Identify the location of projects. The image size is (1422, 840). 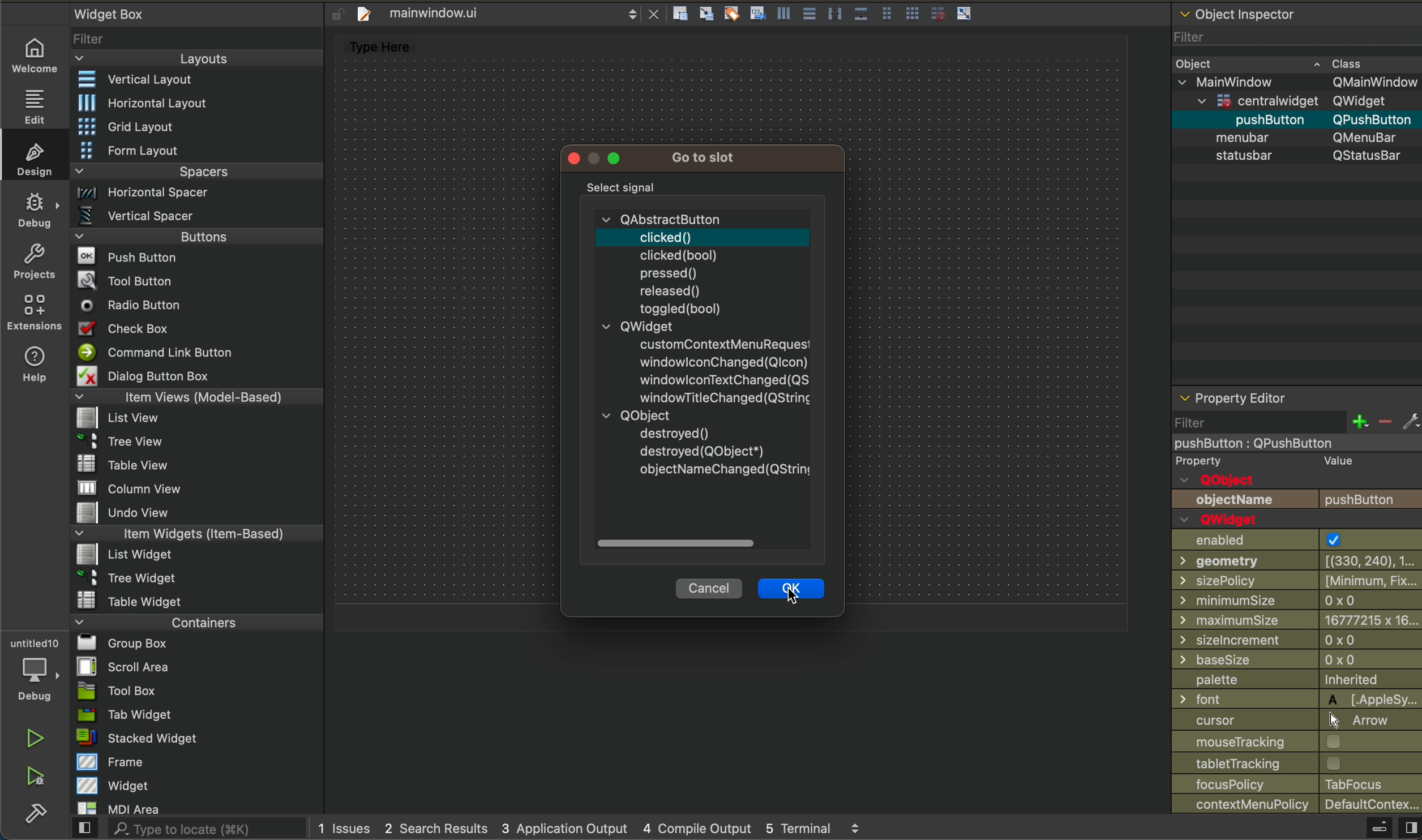
(34, 261).